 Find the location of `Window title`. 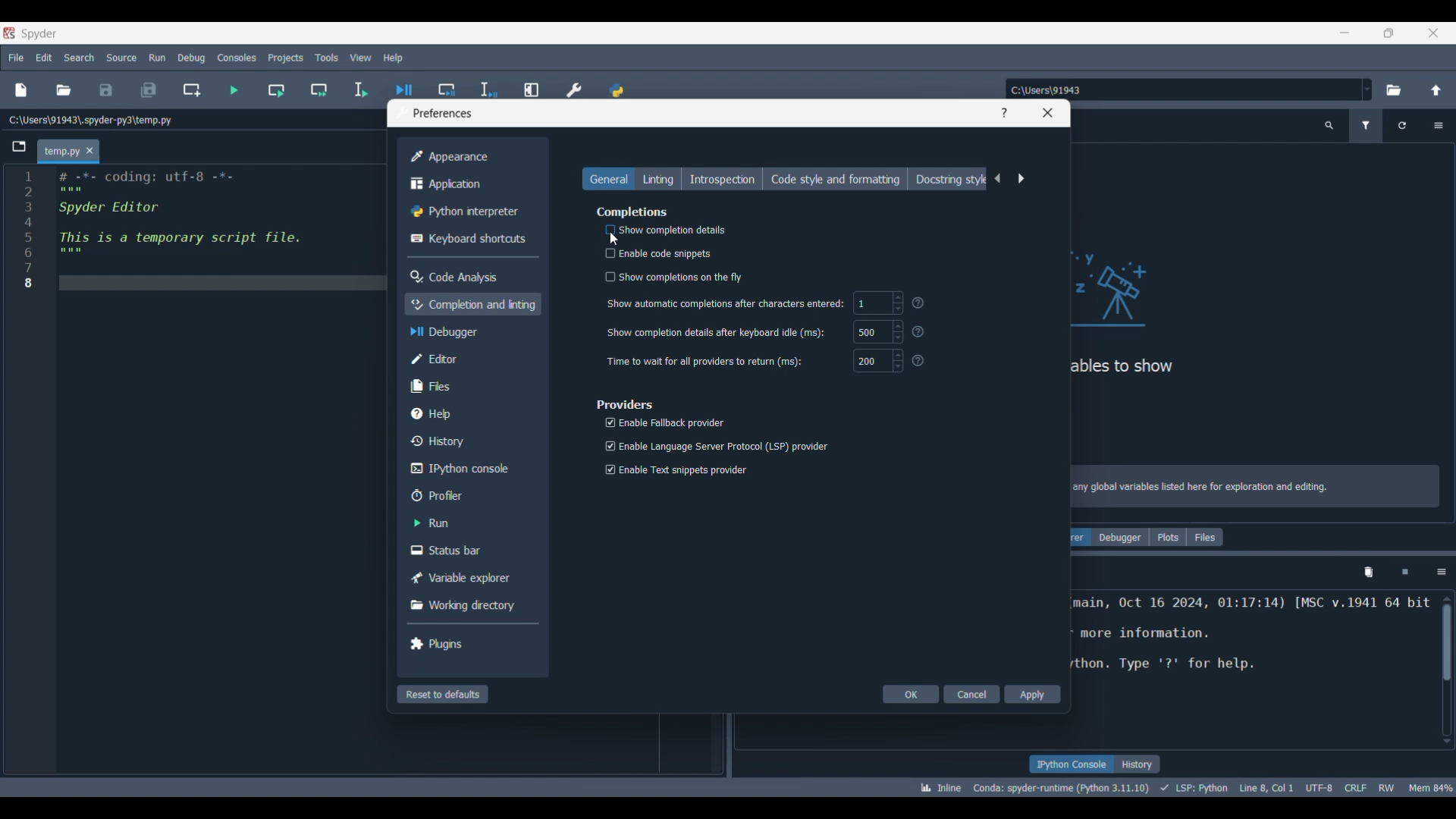

Window title is located at coordinates (443, 113).